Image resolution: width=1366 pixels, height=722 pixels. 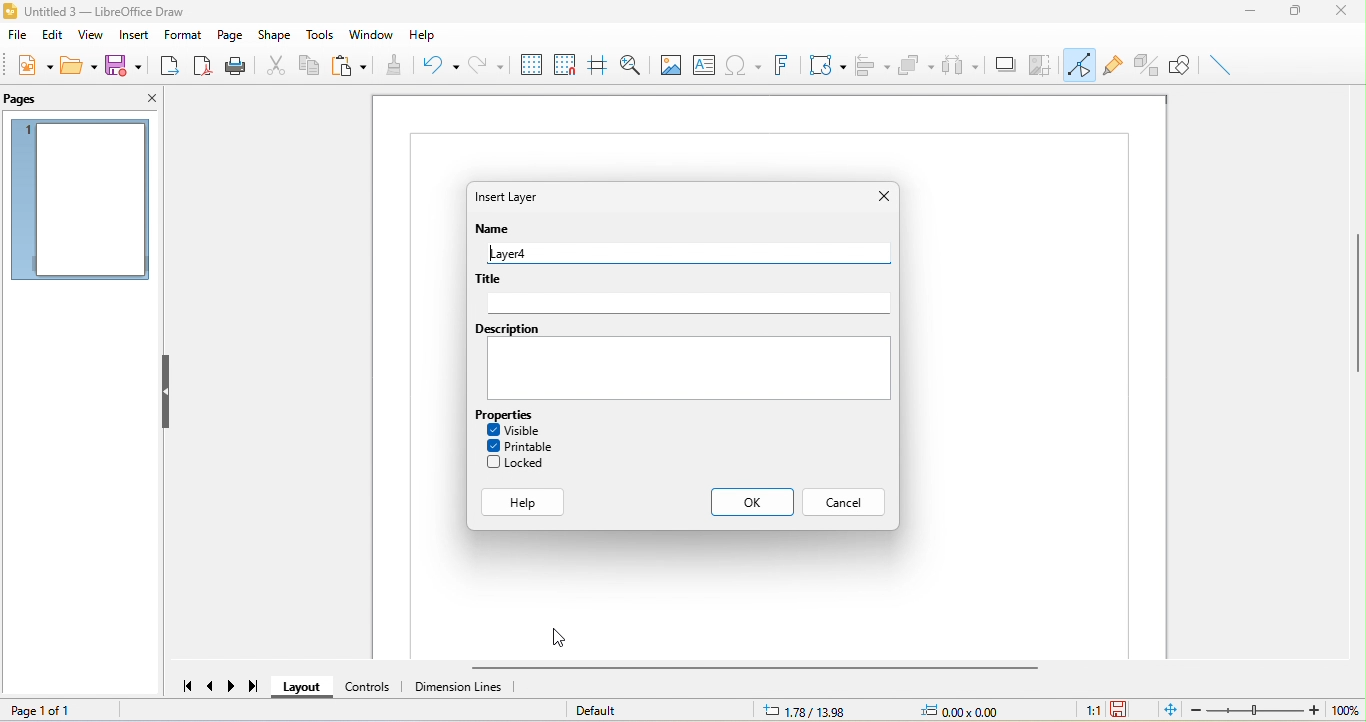 I want to click on tools, so click(x=317, y=35).